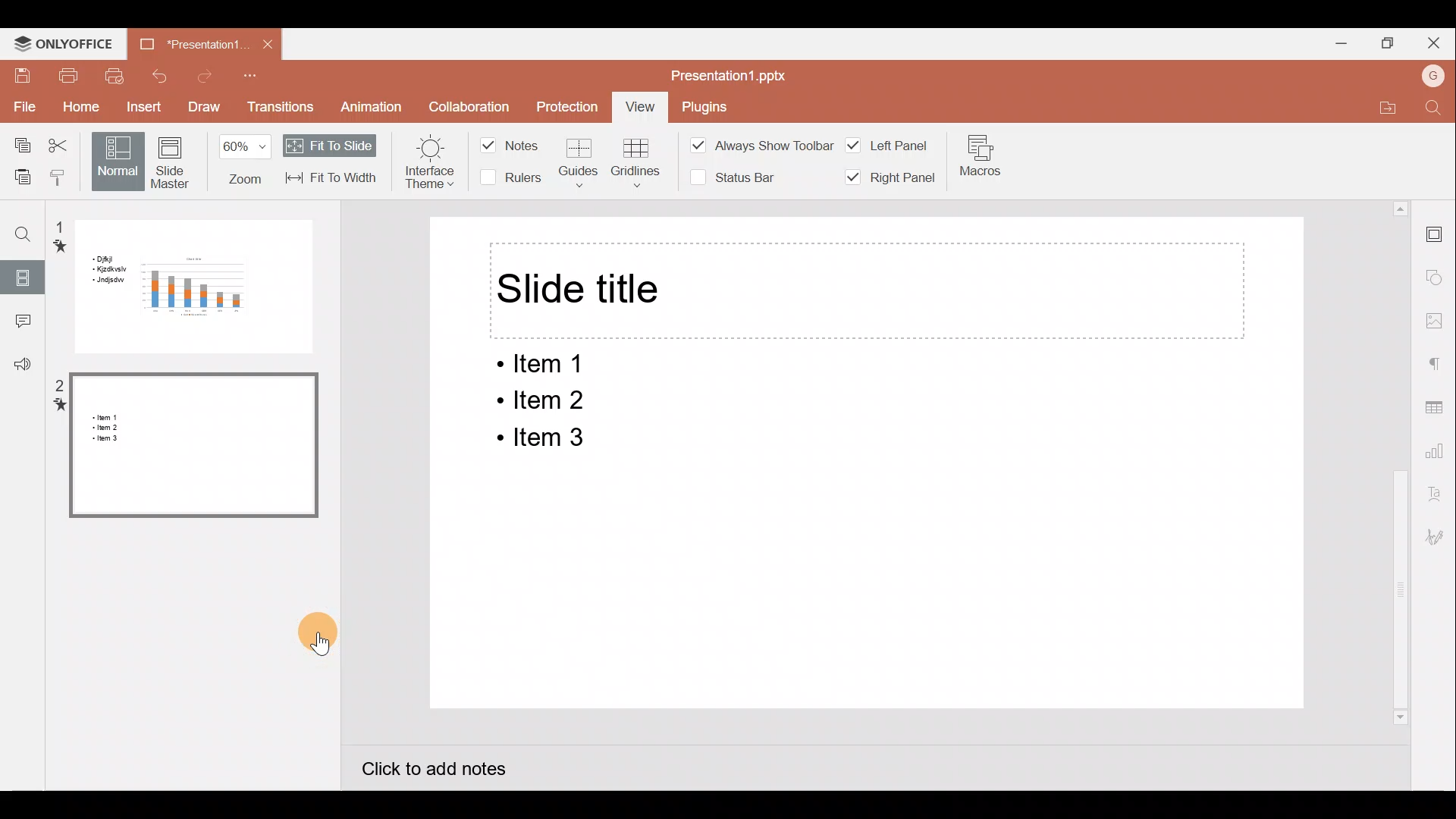  I want to click on Paste, so click(21, 175).